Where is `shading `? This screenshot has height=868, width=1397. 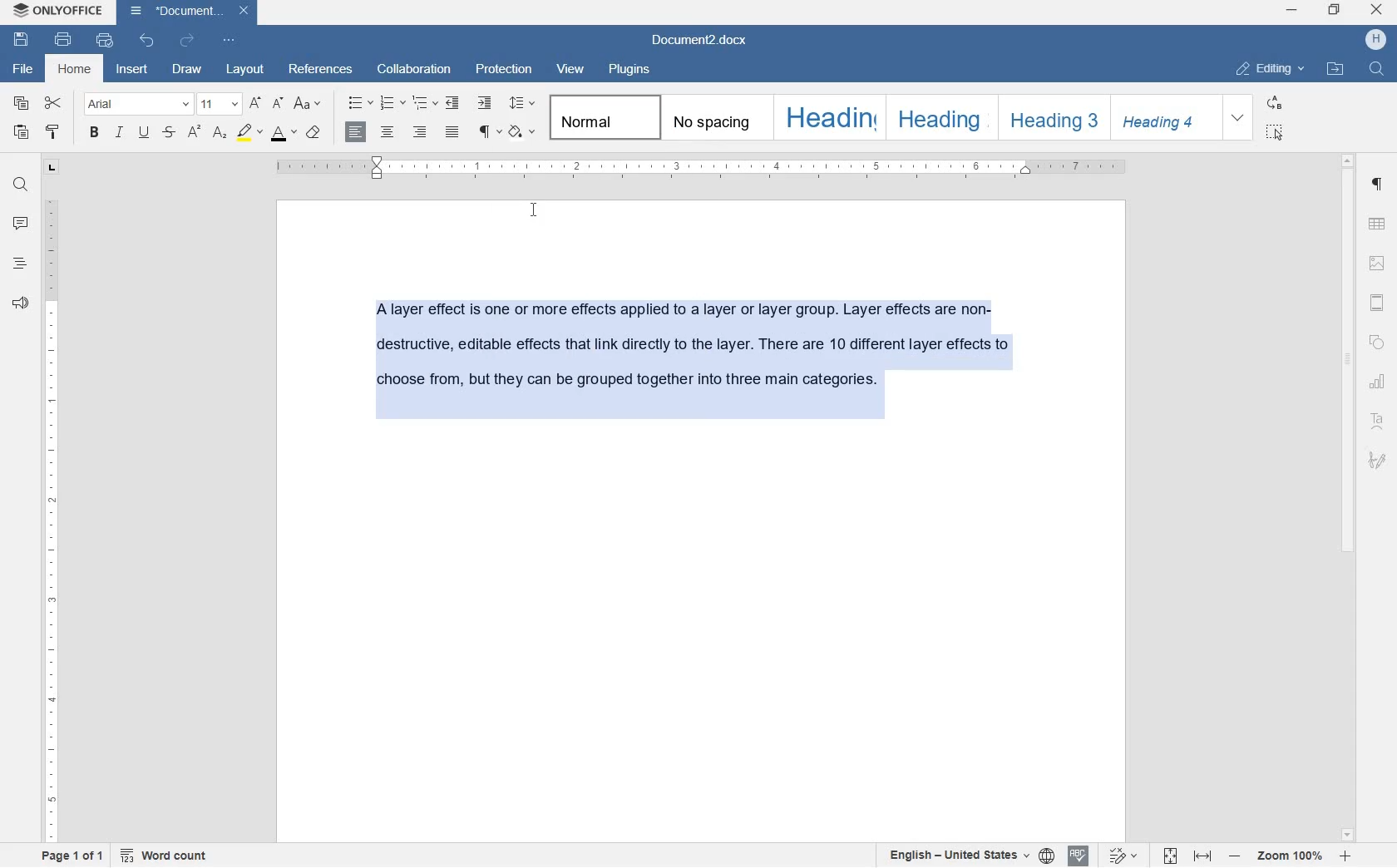
shading  is located at coordinates (521, 132).